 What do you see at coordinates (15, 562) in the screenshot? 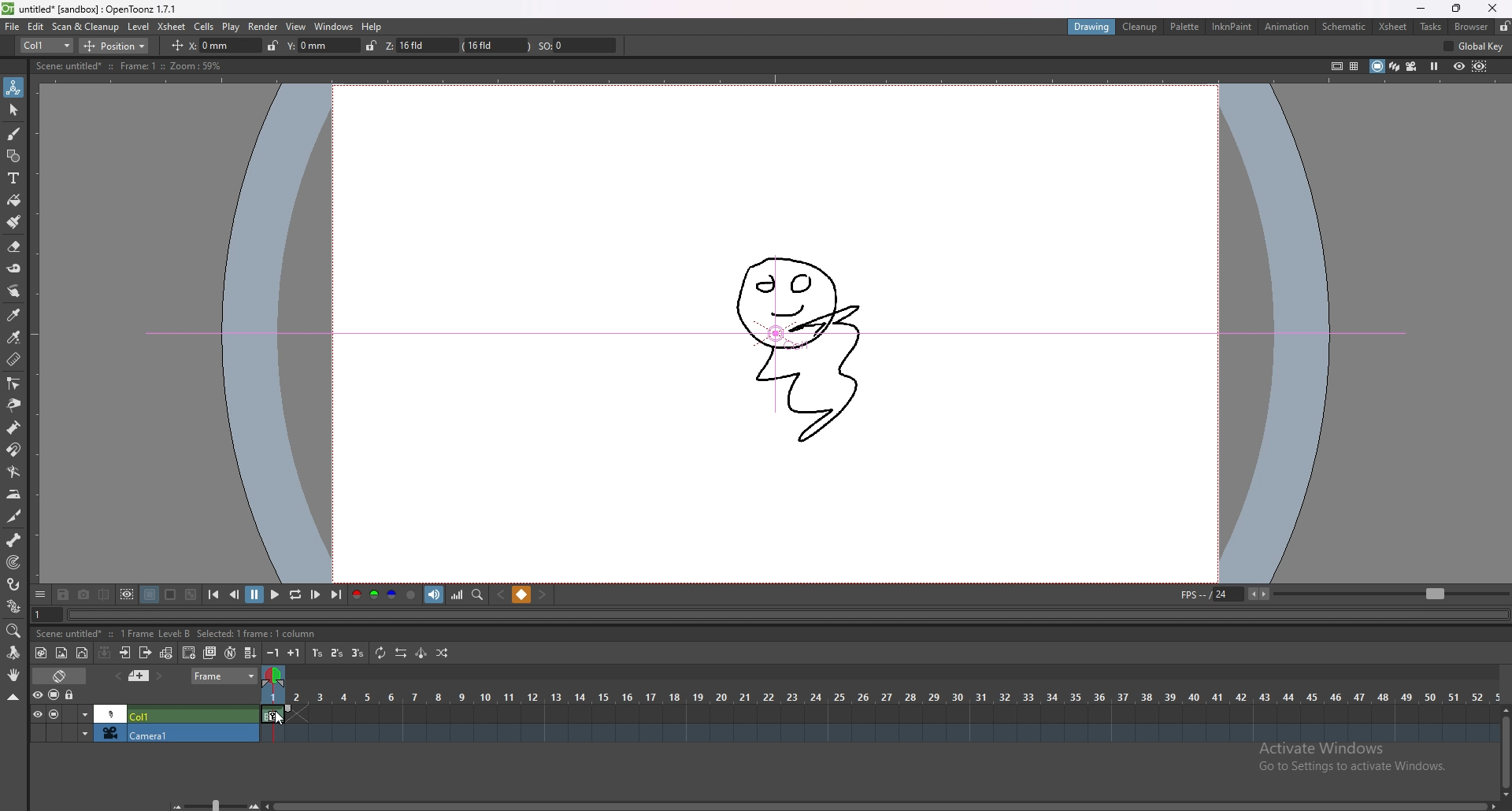
I see `target` at bounding box center [15, 562].